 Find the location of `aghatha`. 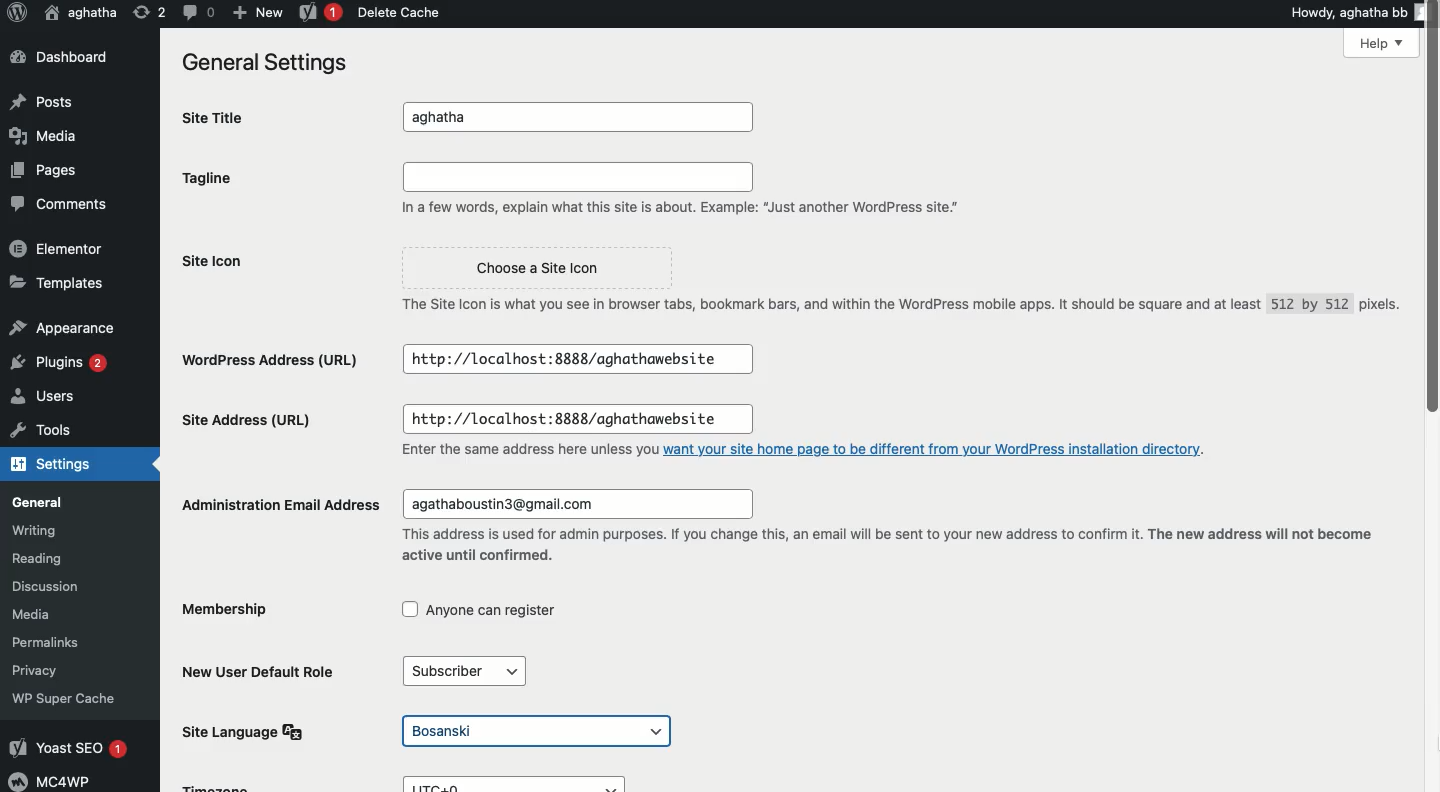

aghatha is located at coordinates (81, 11).